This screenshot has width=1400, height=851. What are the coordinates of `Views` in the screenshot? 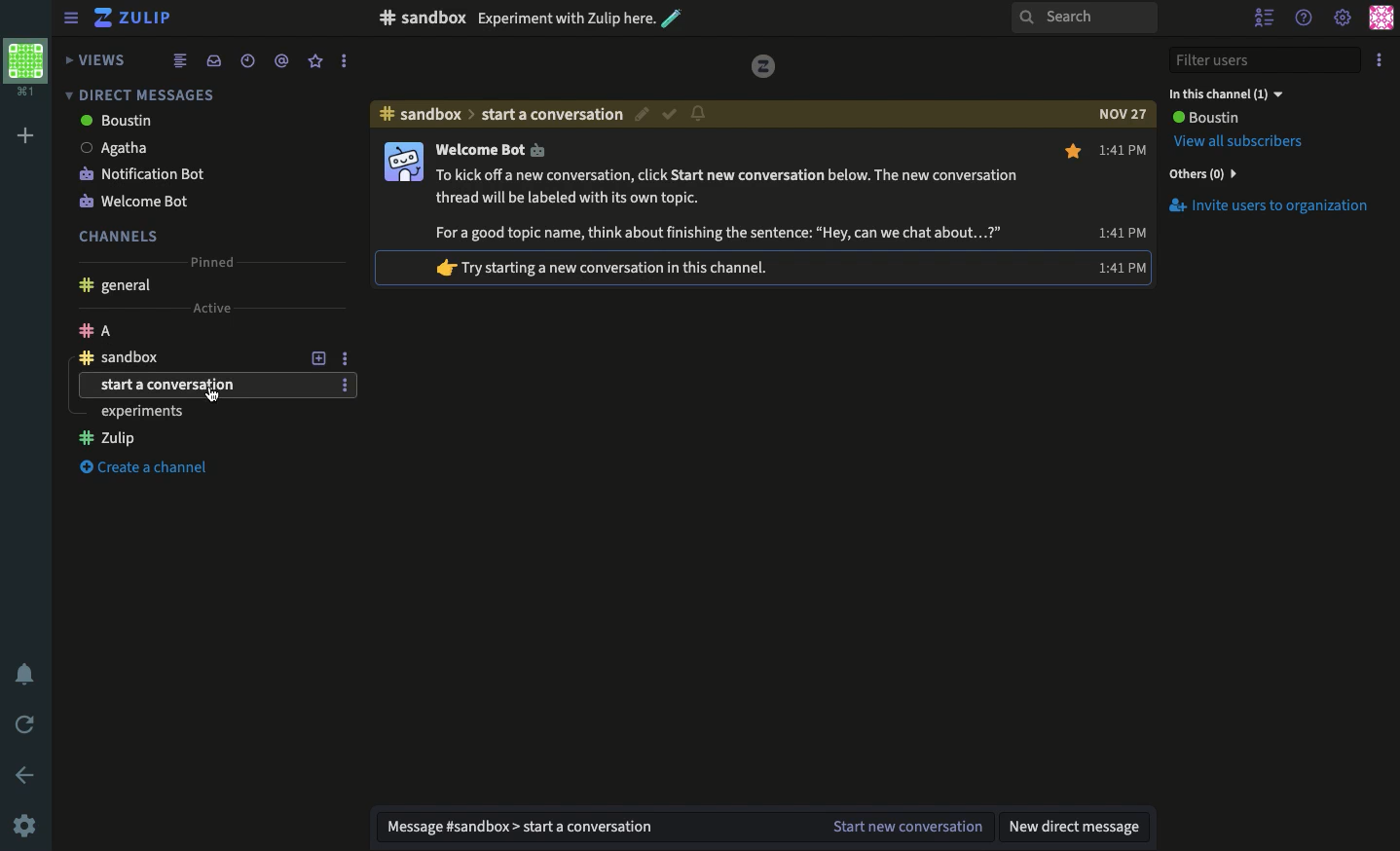 It's located at (98, 59).